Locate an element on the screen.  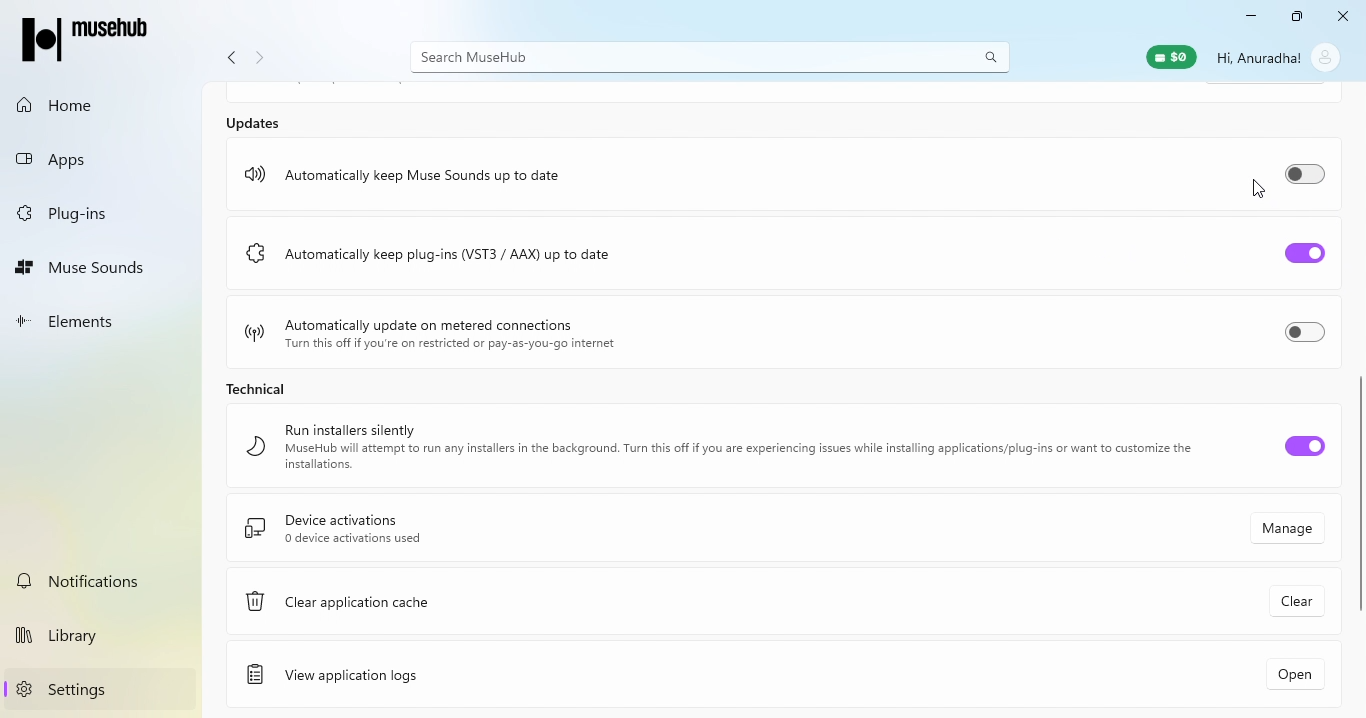
Muse wallet is located at coordinates (1168, 57).